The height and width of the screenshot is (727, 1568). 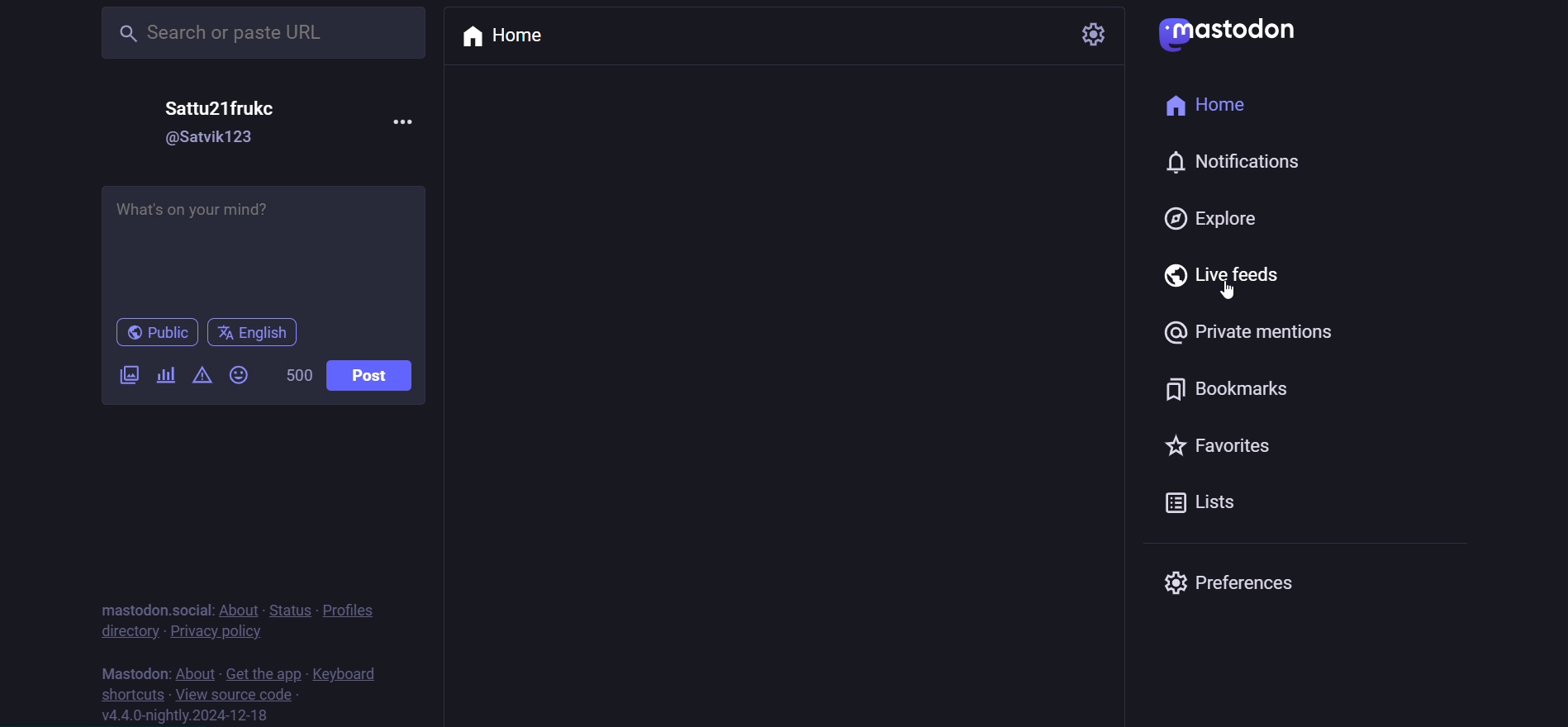 I want to click on keyboard, so click(x=346, y=672).